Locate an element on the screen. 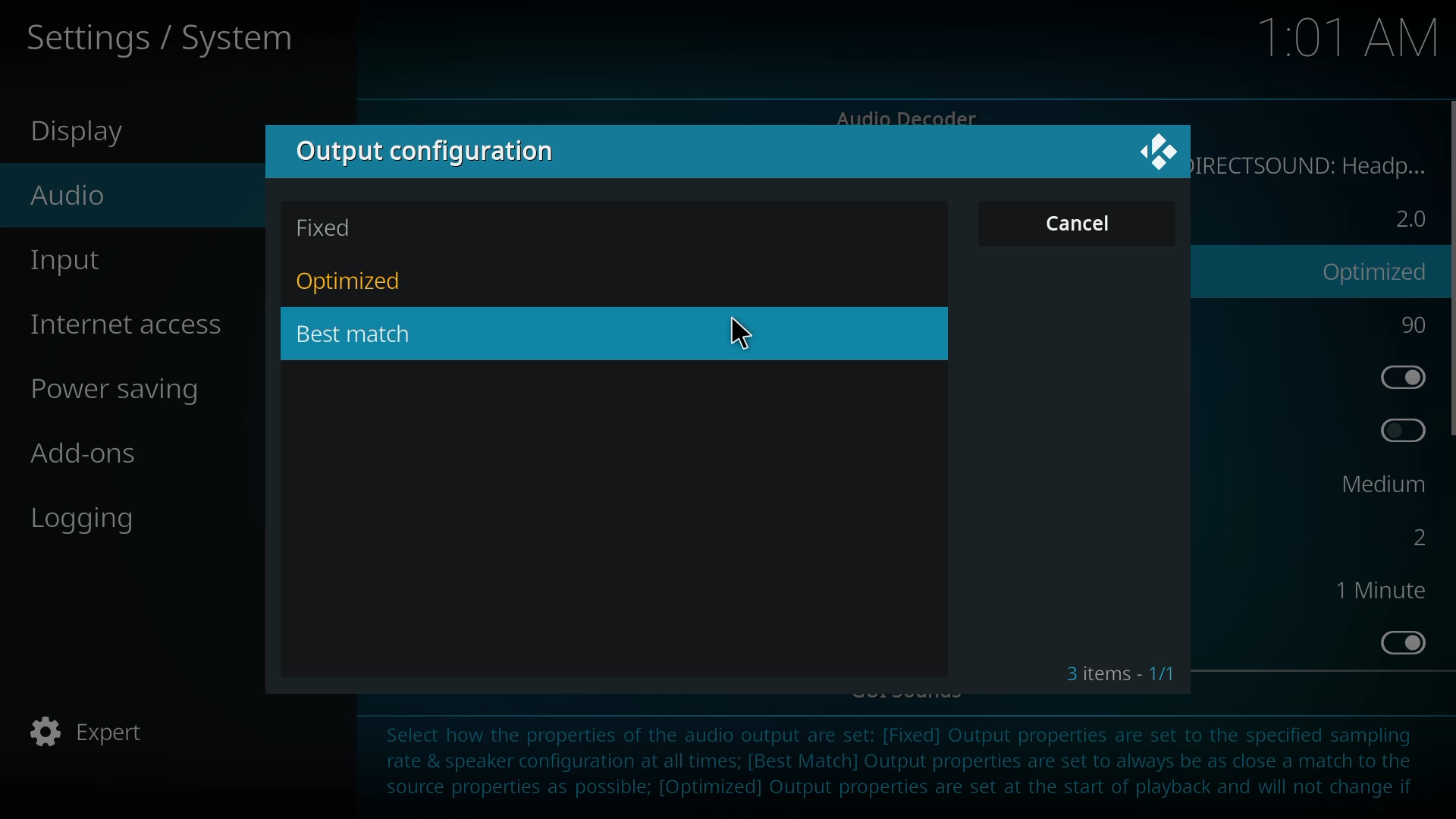 This screenshot has height=819, width=1456. close is located at coordinates (1157, 148).